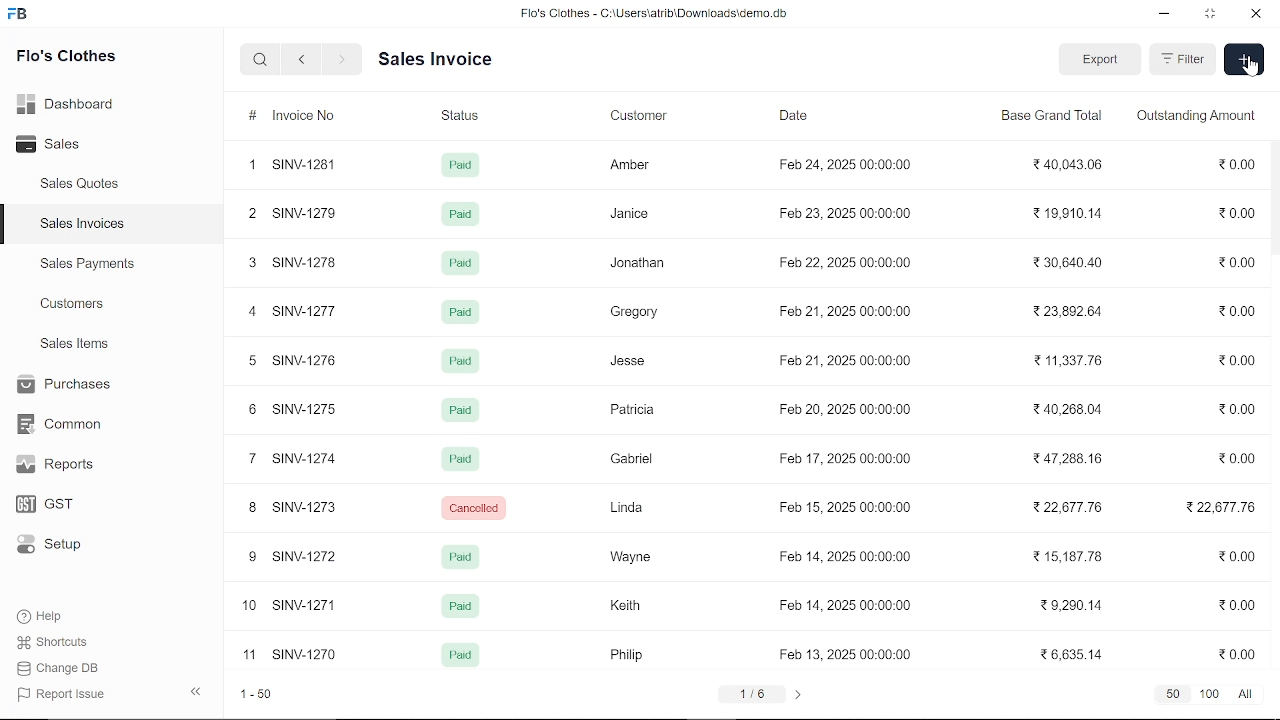 The height and width of the screenshot is (720, 1280). Describe the element at coordinates (87, 264) in the screenshot. I see `Sales Payments` at that location.